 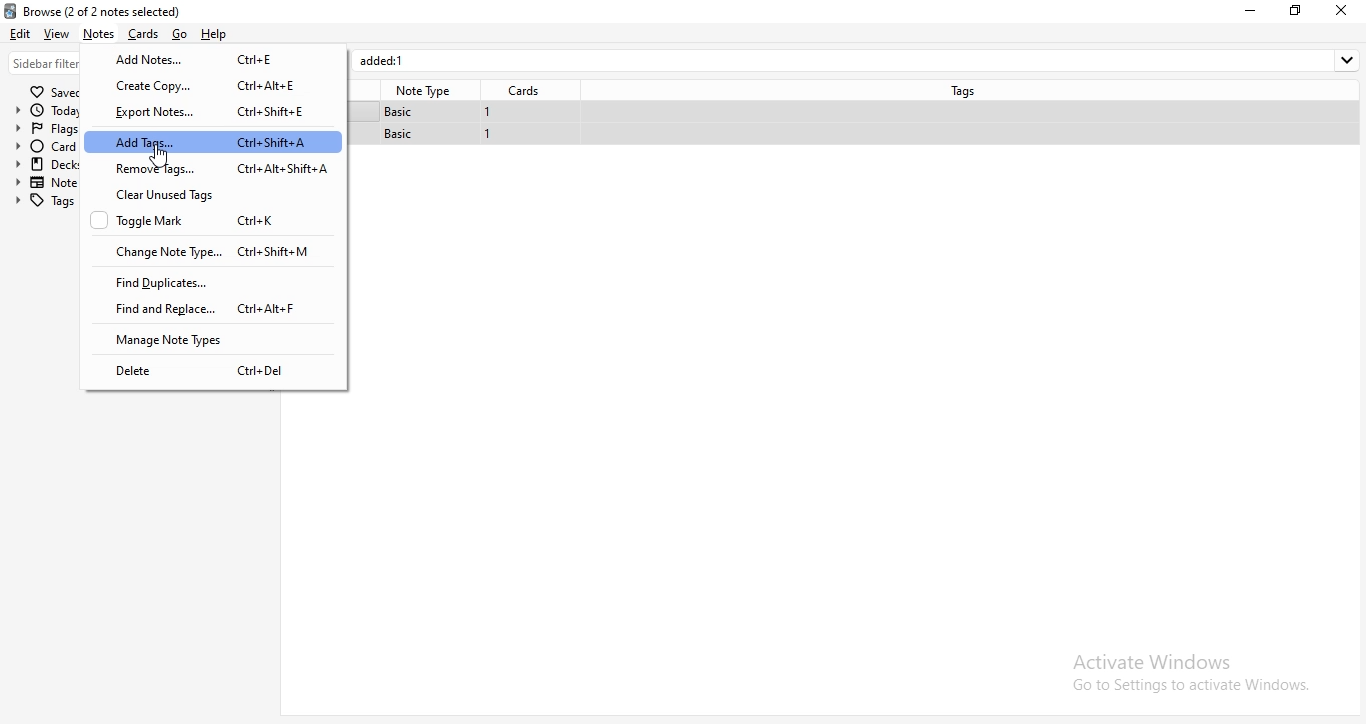 What do you see at coordinates (490, 136) in the screenshot?
I see `1` at bounding box center [490, 136].